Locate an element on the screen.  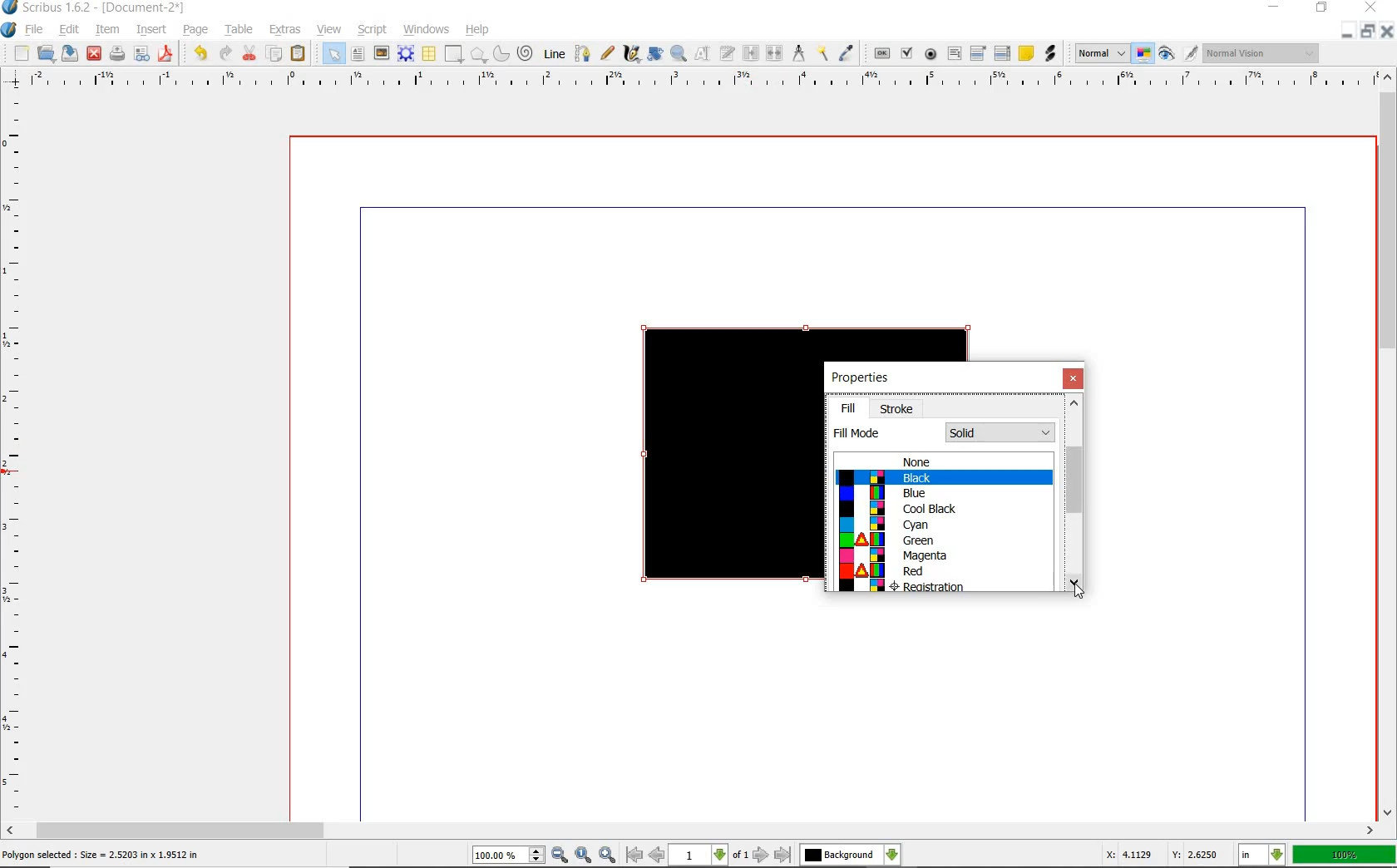
Black is located at coordinates (943, 477).